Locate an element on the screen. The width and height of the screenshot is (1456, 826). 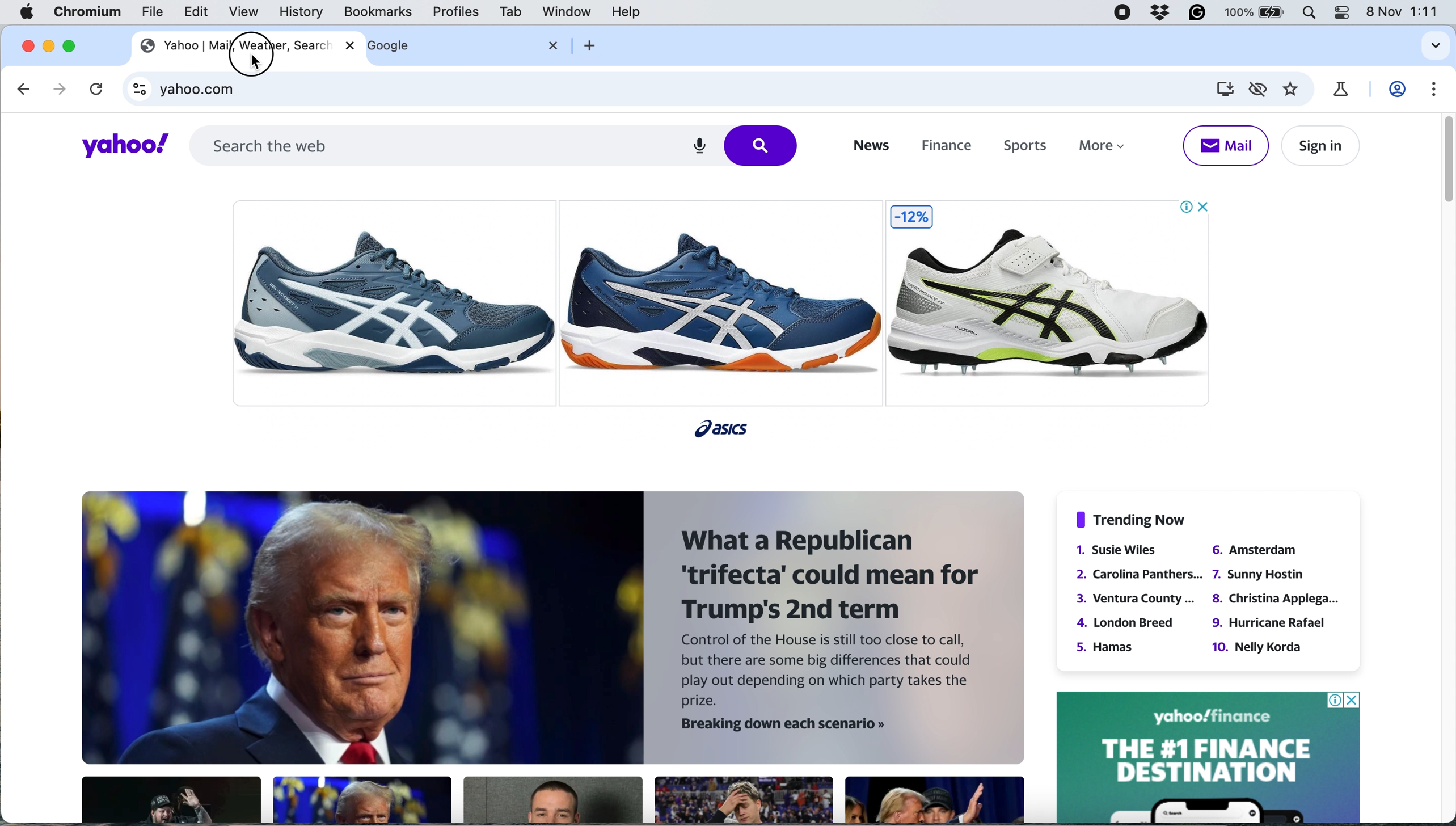
mail is located at coordinates (1225, 145).